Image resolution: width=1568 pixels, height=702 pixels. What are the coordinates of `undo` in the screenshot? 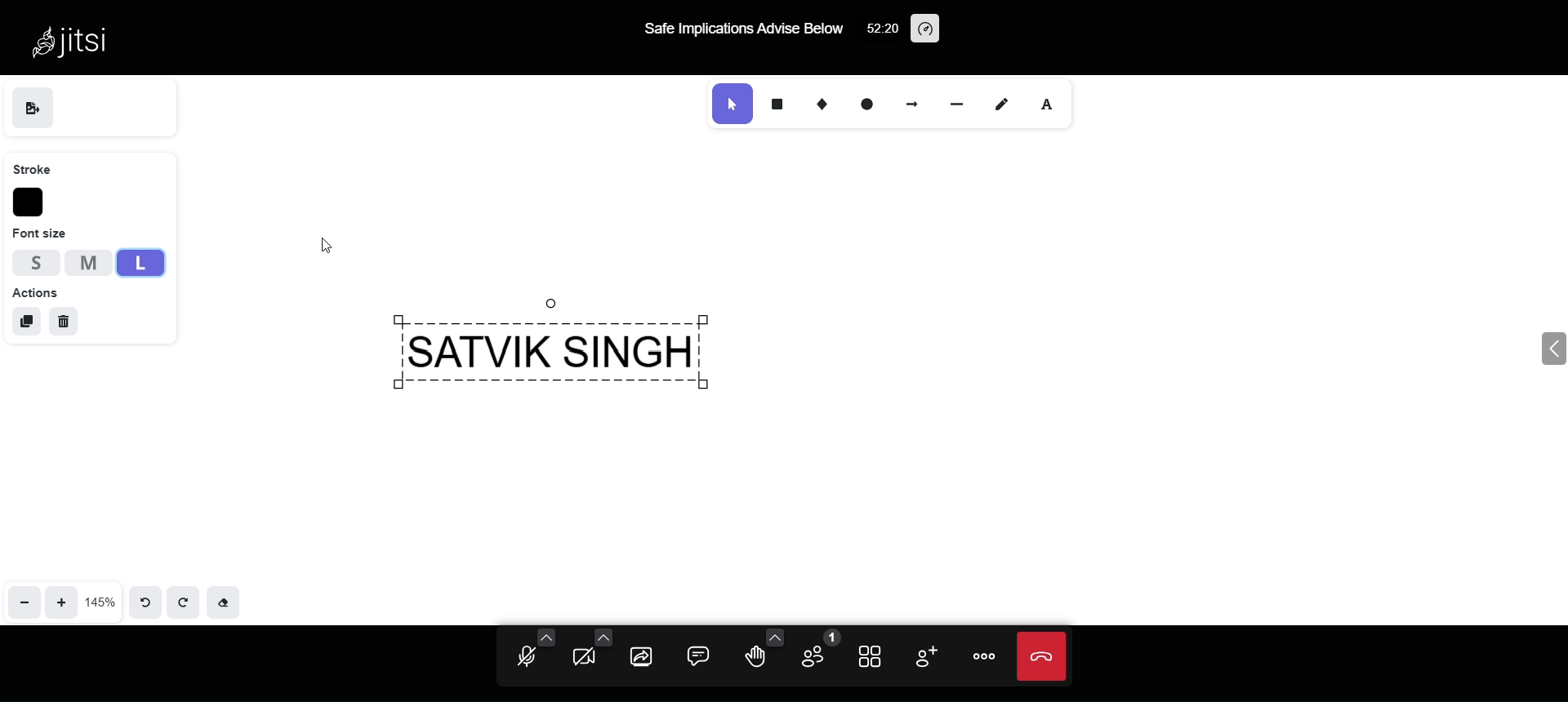 It's located at (142, 600).